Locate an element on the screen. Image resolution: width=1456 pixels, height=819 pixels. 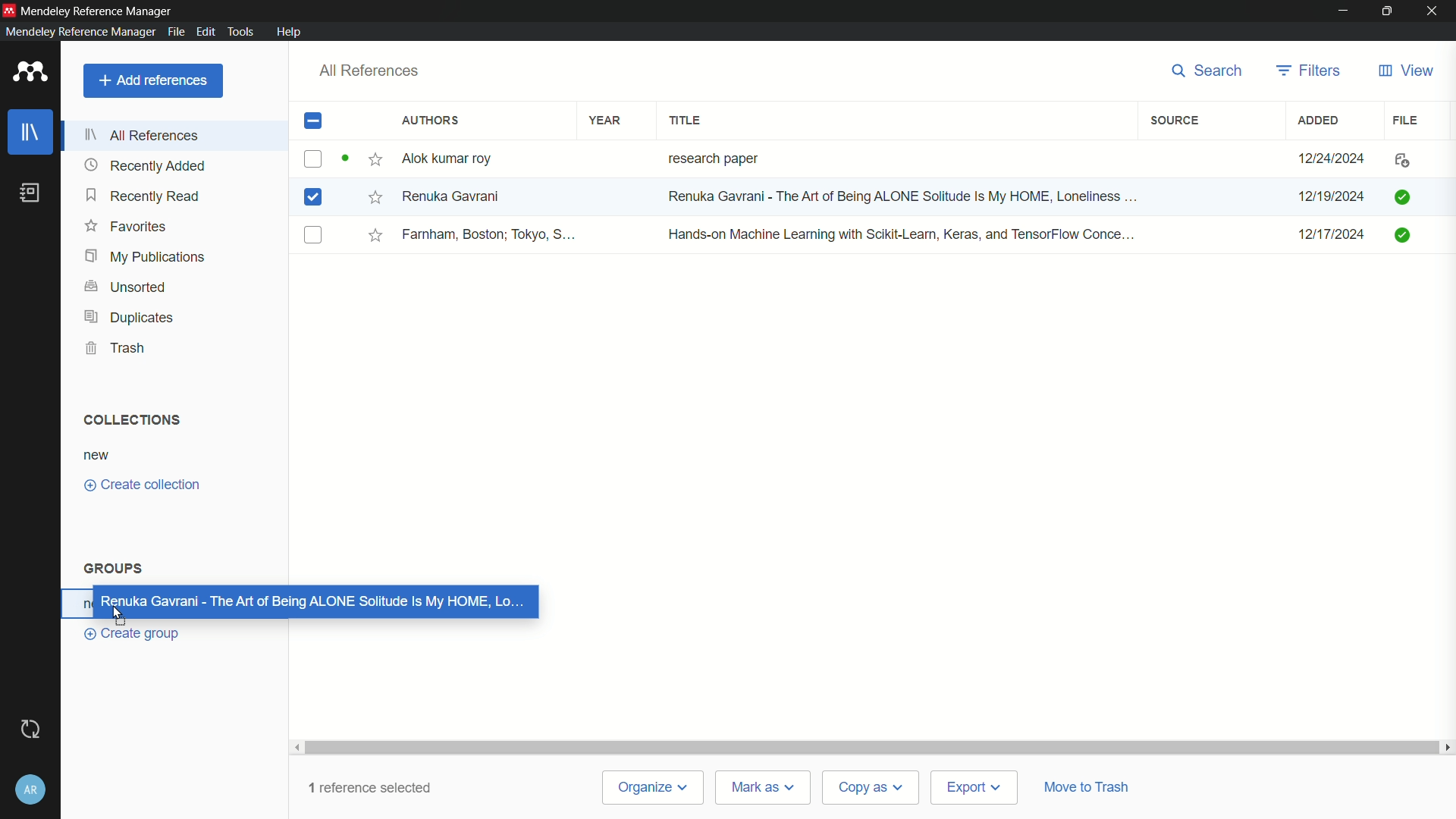
all references is located at coordinates (146, 134).